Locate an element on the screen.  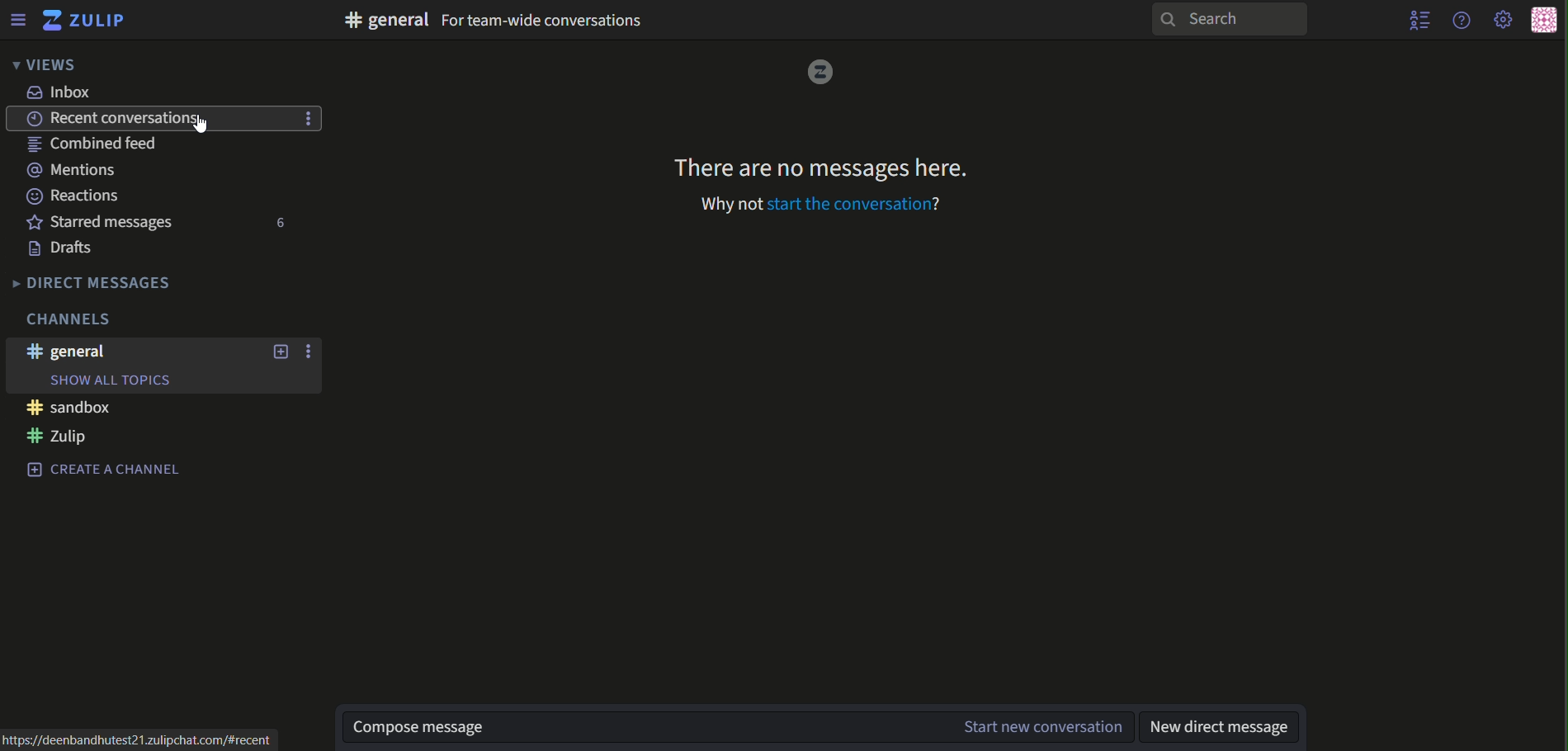
logo and title is located at coordinates (84, 21).